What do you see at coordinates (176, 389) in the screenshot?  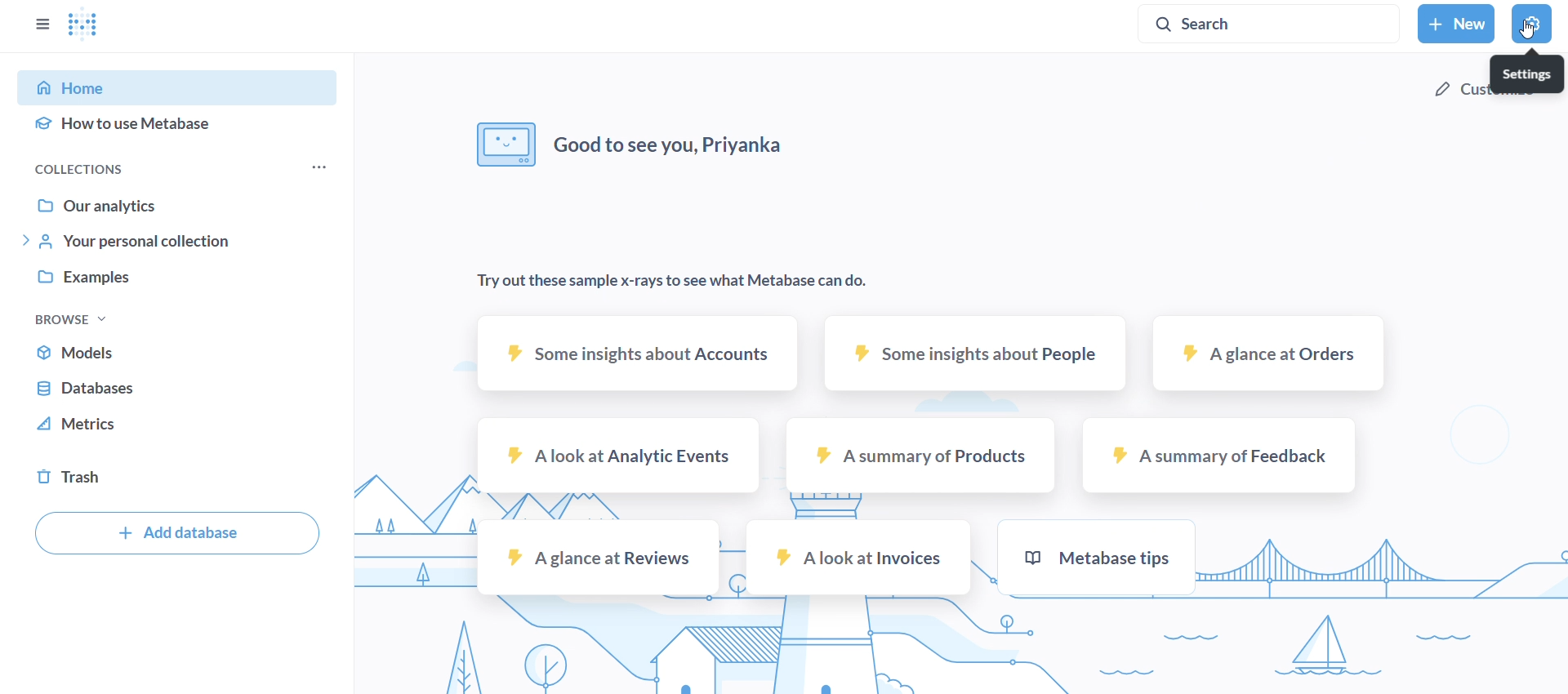 I see `database` at bounding box center [176, 389].